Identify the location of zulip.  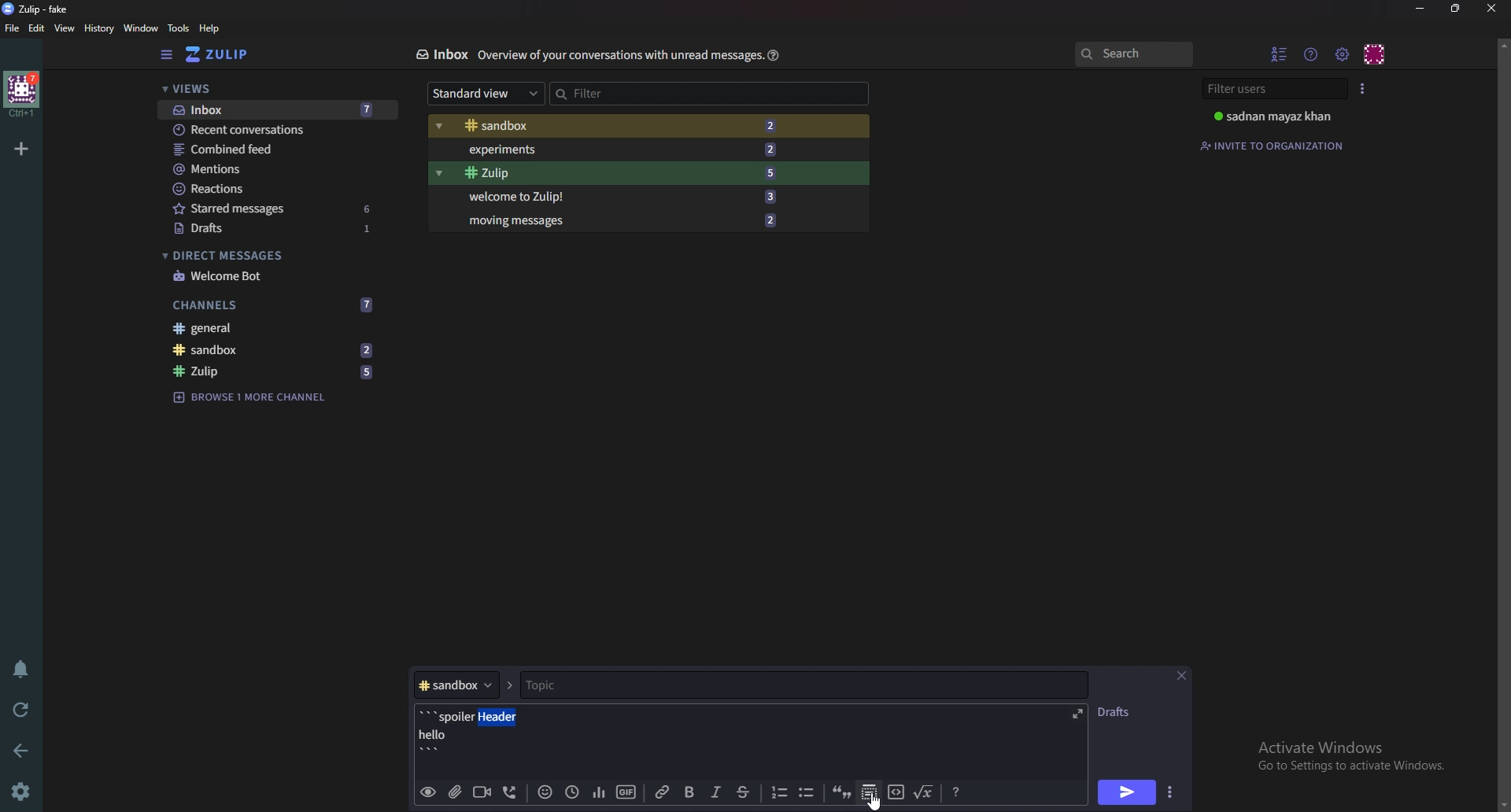
(610, 174).